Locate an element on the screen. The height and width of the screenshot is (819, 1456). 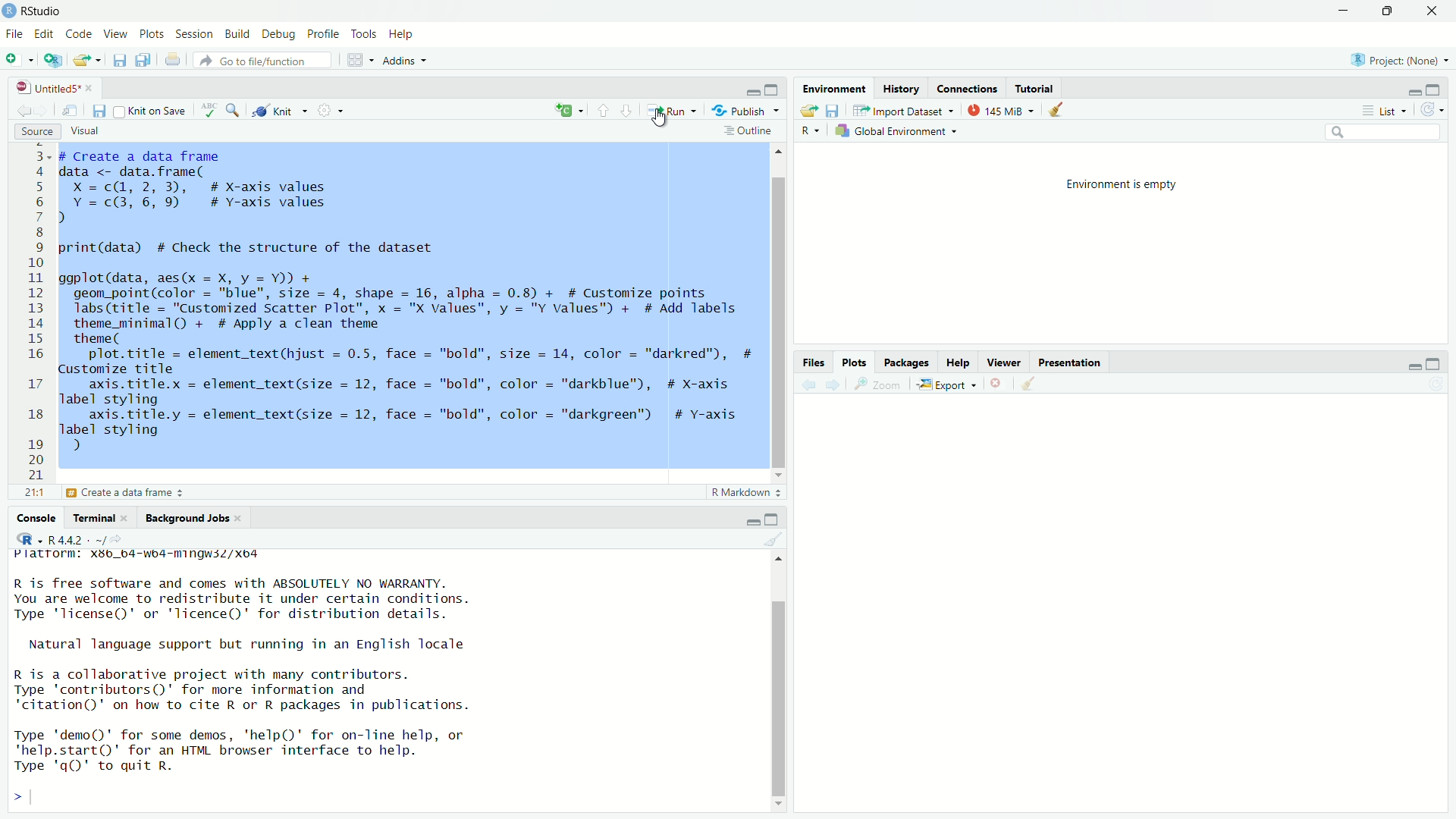
R studio is located at coordinates (42, 11).